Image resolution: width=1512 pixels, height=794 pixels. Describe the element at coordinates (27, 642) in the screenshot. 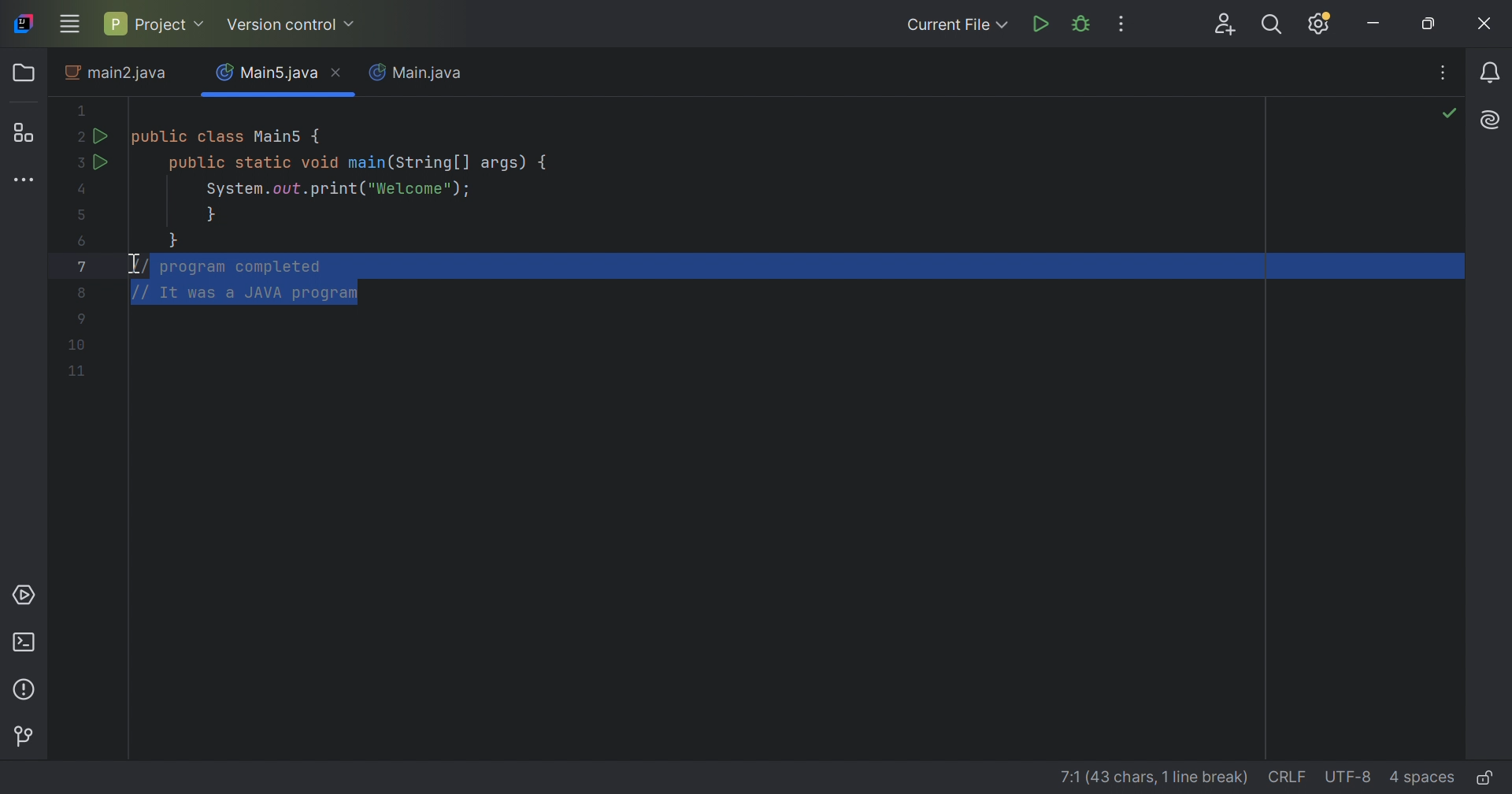

I see `Terminal` at that location.